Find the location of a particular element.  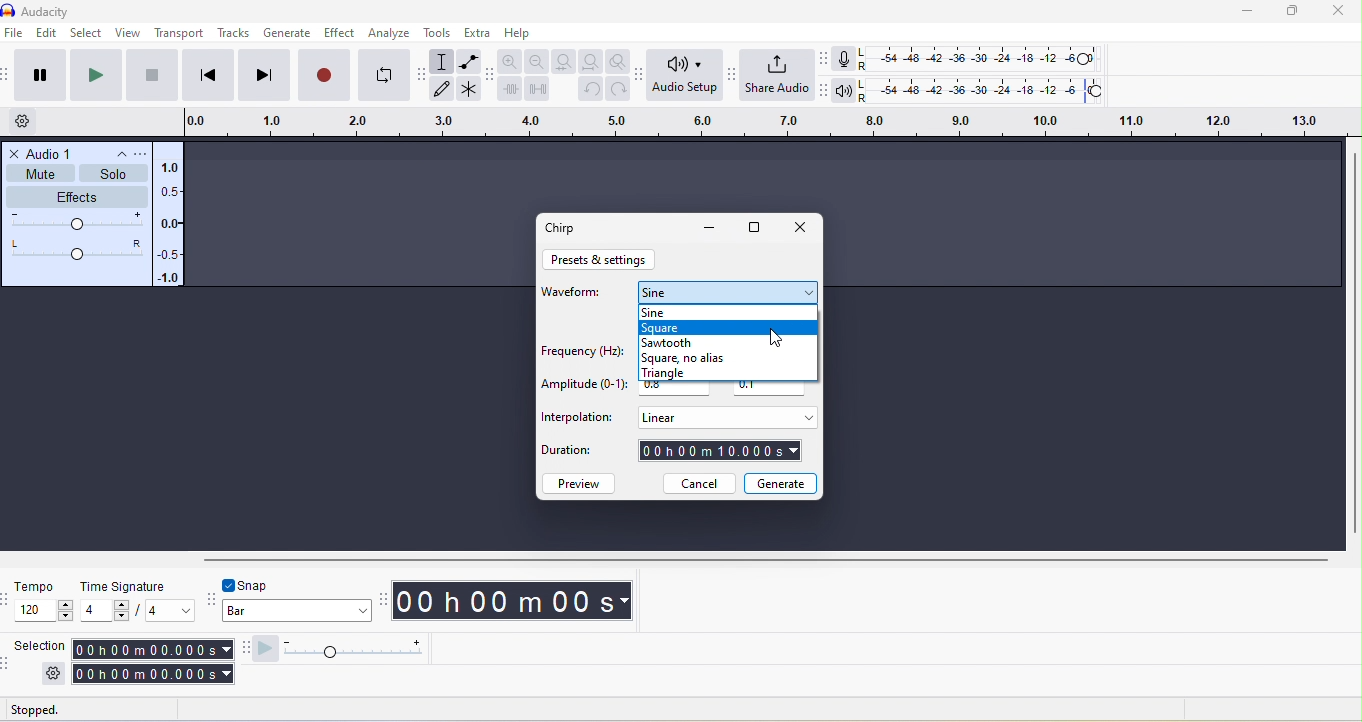

audio 1 is located at coordinates (52, 152).